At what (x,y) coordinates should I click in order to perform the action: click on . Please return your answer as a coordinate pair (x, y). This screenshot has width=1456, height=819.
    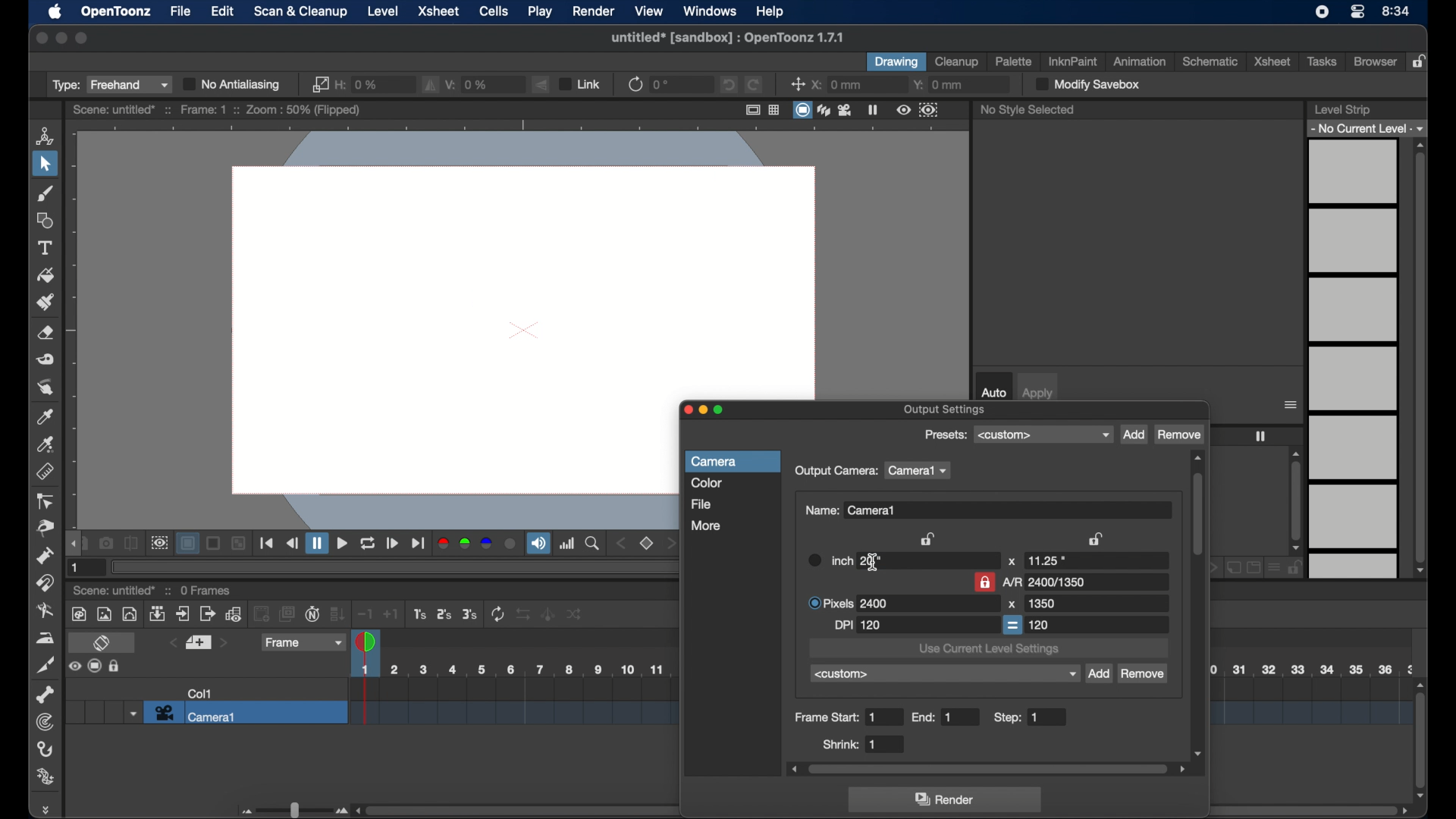
    Looking at the image, I should click on (575, 613).